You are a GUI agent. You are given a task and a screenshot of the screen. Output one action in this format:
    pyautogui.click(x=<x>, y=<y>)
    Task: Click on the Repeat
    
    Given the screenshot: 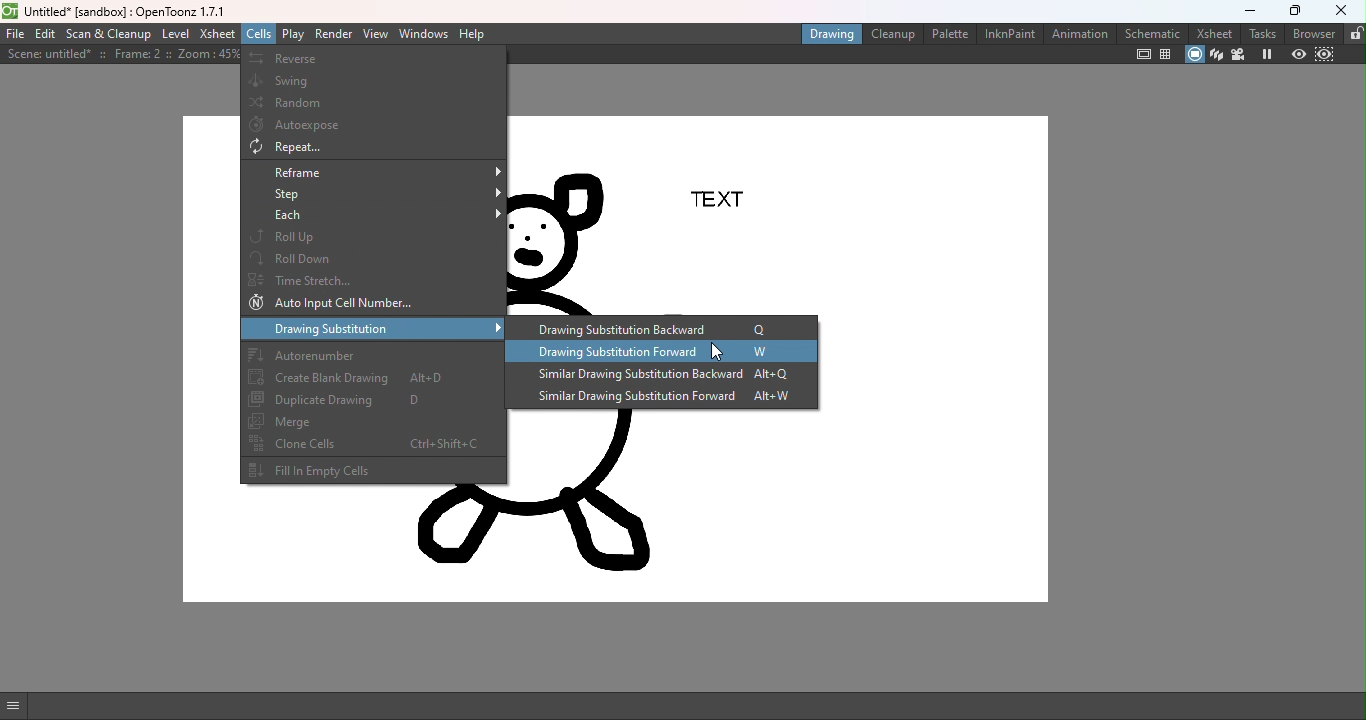 What is the action you would take?
    pyautogui.click(x=378, y=149)
    